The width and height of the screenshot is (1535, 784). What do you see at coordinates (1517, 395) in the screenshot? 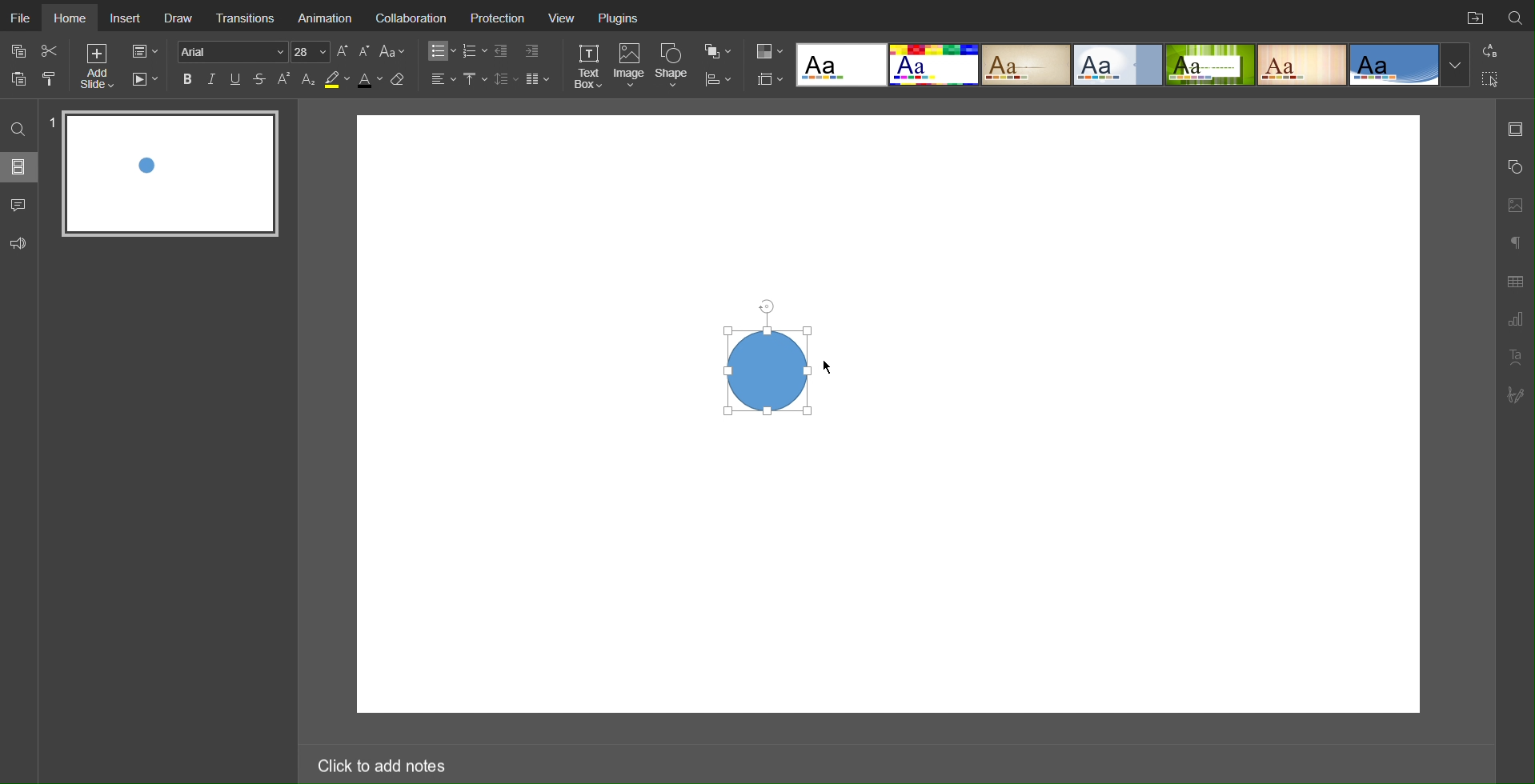
I see `Signature ` at bounding box center [1517, 395].